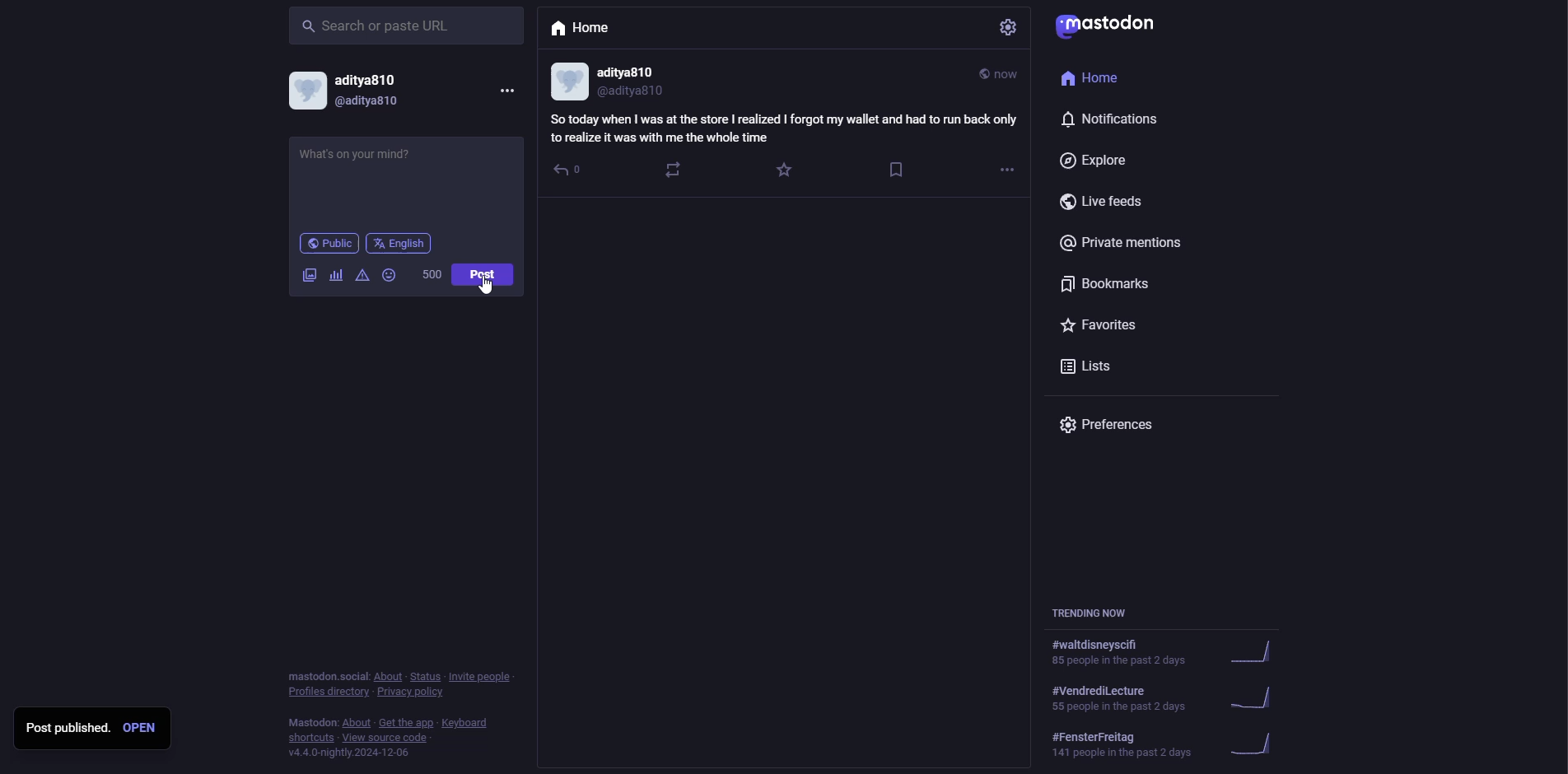 The height and width of the screenshot is (774, 1568). I want to click on explore, so click(1101, 162).